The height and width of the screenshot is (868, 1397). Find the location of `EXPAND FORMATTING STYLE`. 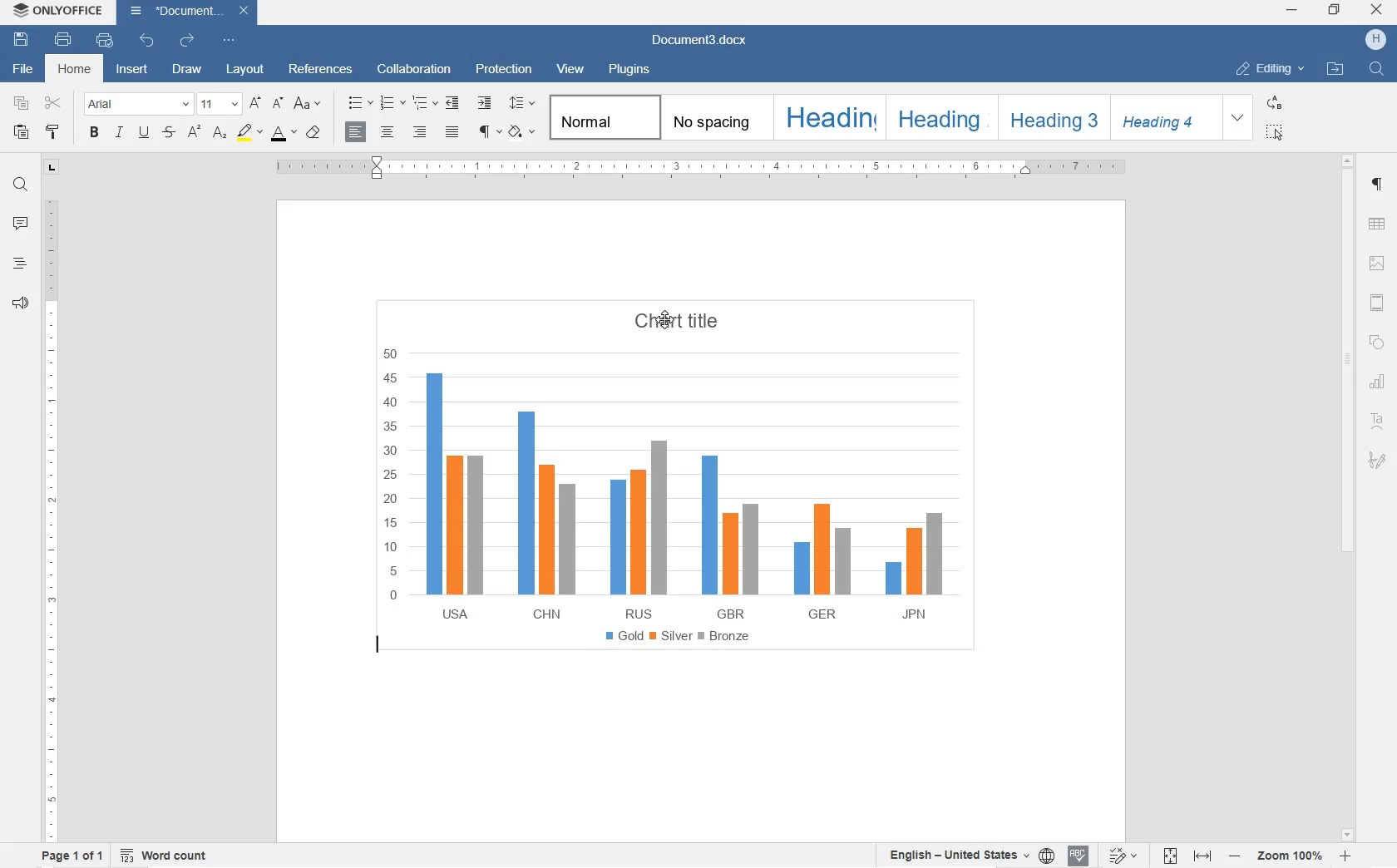

EXPAND FORMATTING STYLE is located at coordinates (1237, 118).